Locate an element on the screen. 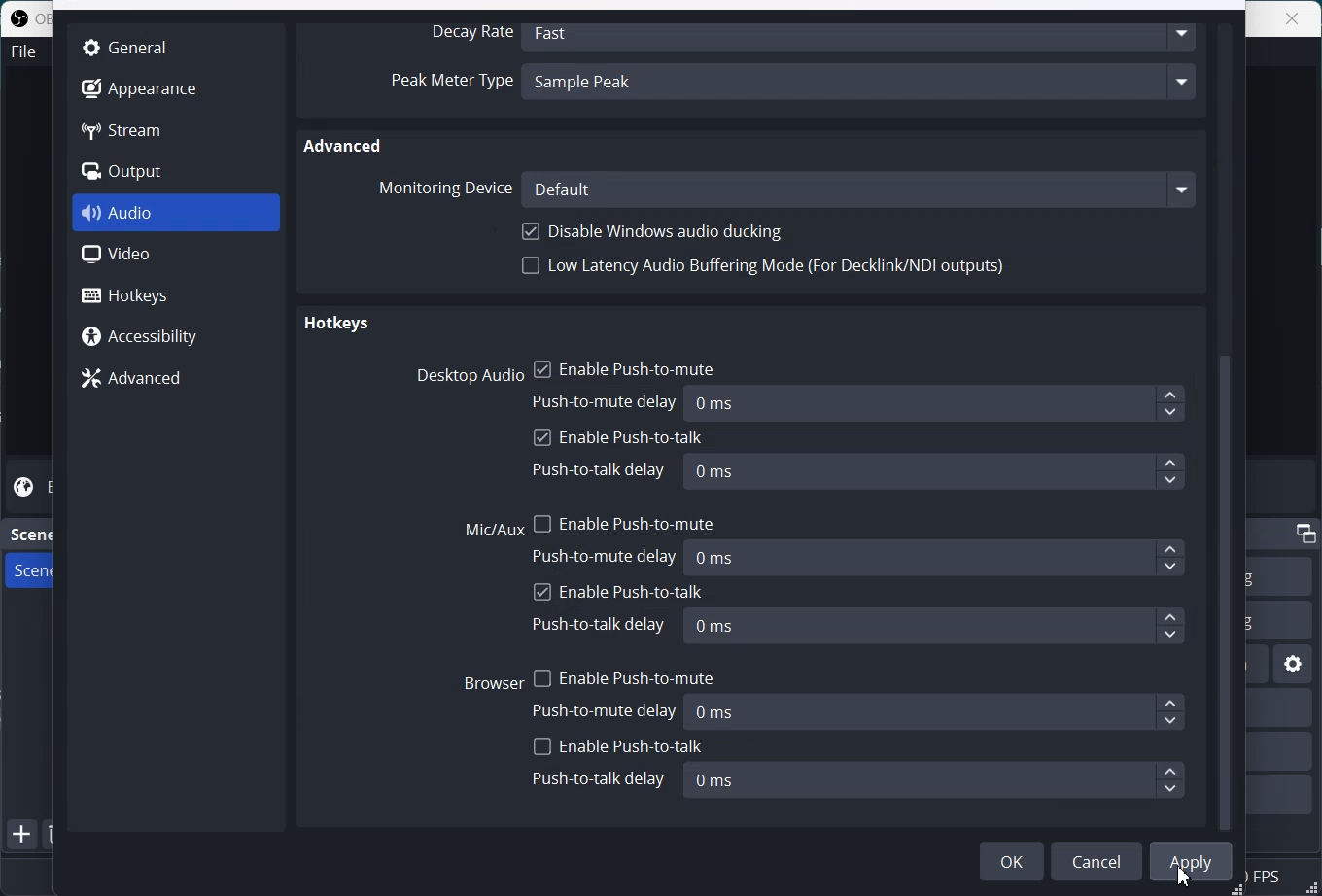  Audio is located at coordinates (177, 213).